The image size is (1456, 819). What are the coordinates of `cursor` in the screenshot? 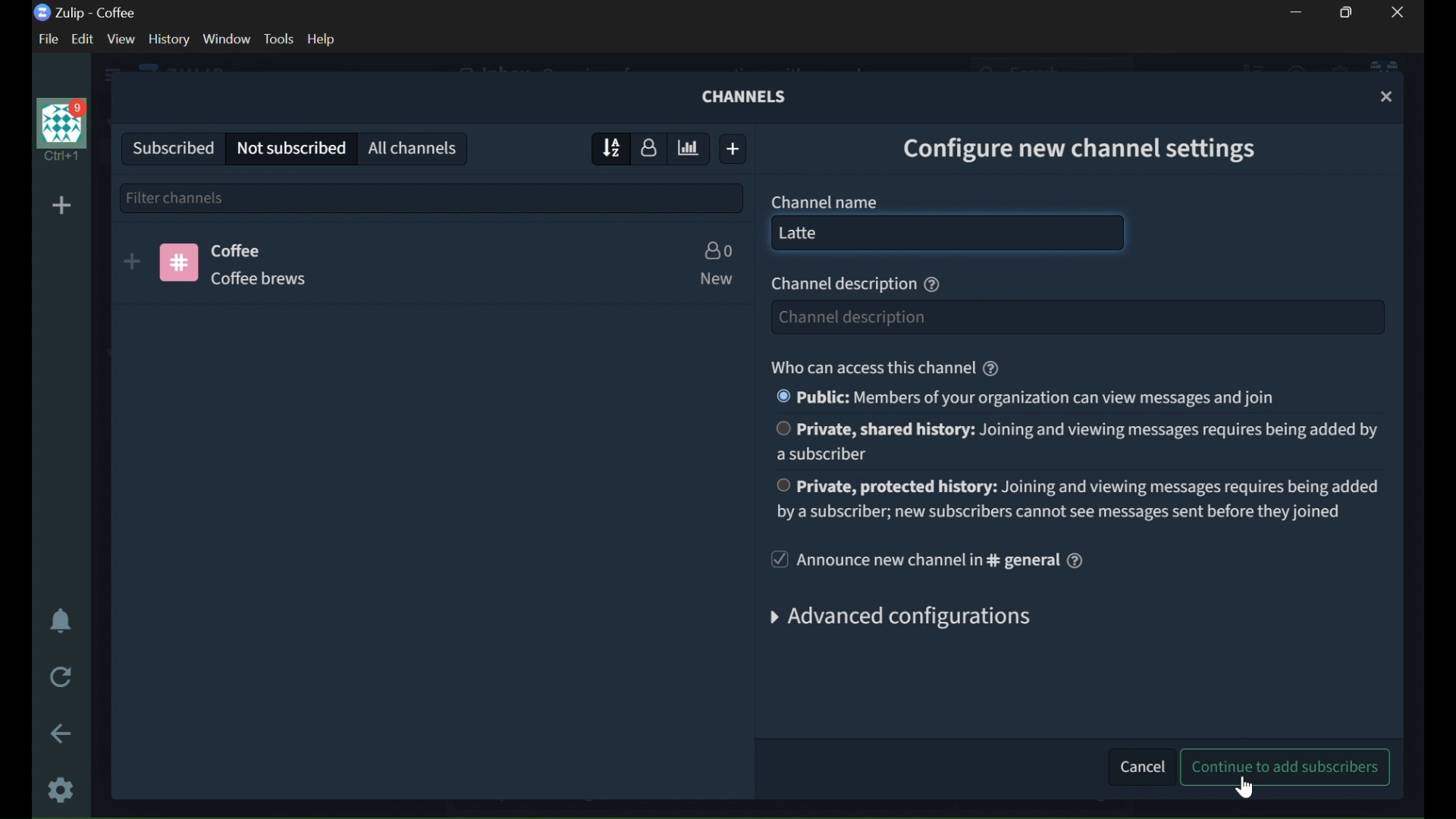 It's located at (1244, 787).